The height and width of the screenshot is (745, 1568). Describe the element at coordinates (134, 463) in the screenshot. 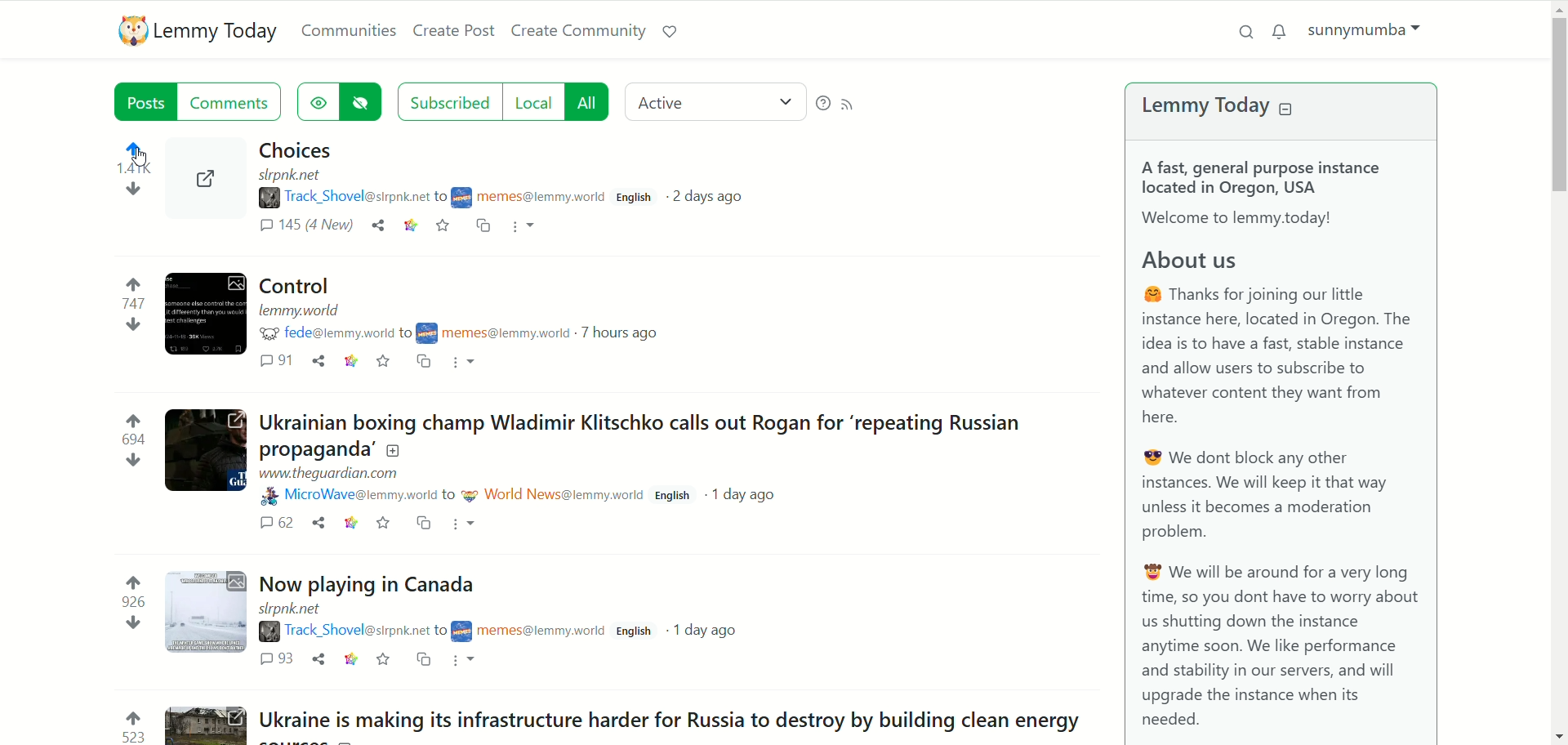

I see `down vote` at that location.